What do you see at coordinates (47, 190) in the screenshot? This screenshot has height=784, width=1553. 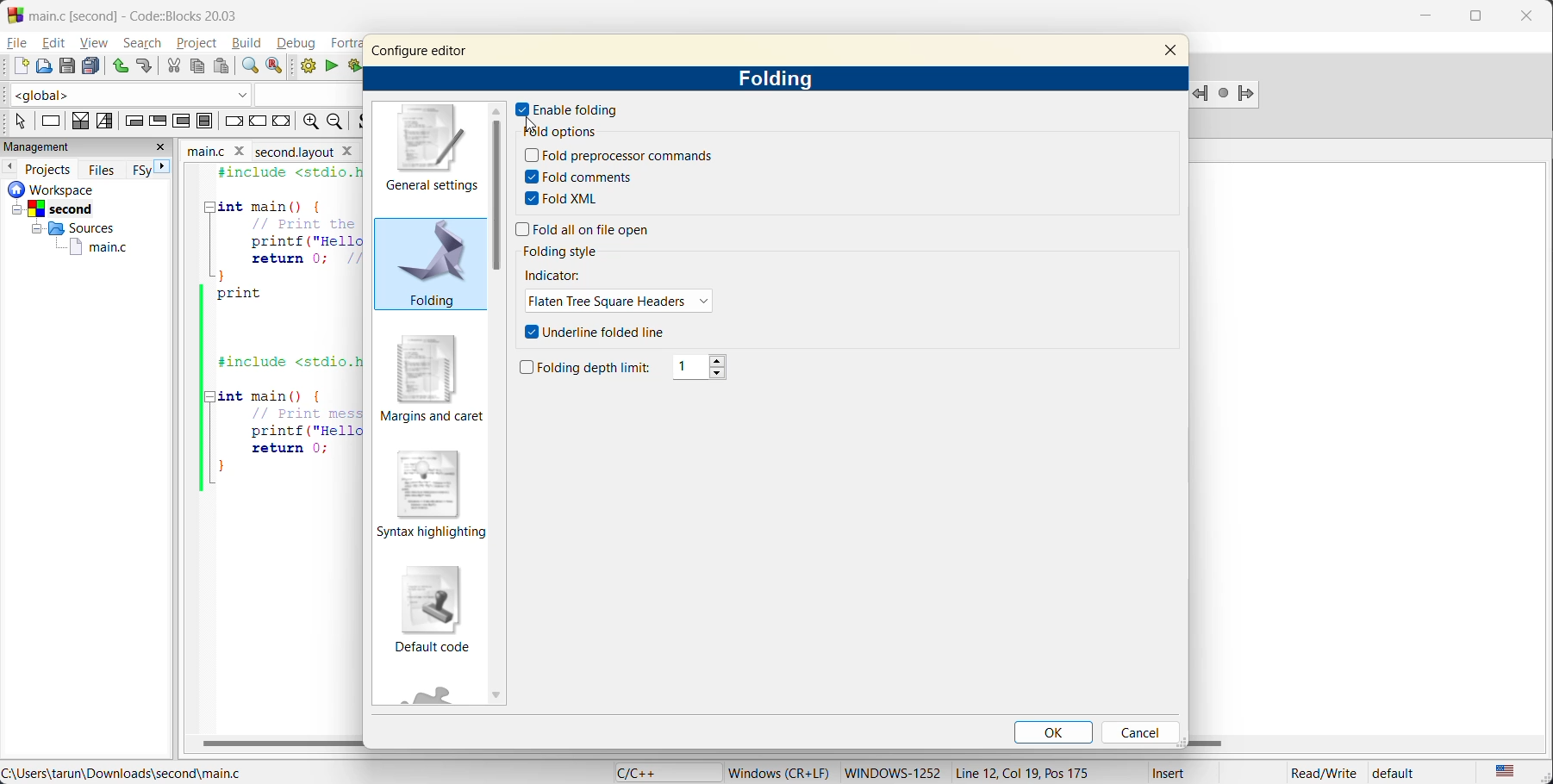 I see `workspace` at bounding box center [47, 190].